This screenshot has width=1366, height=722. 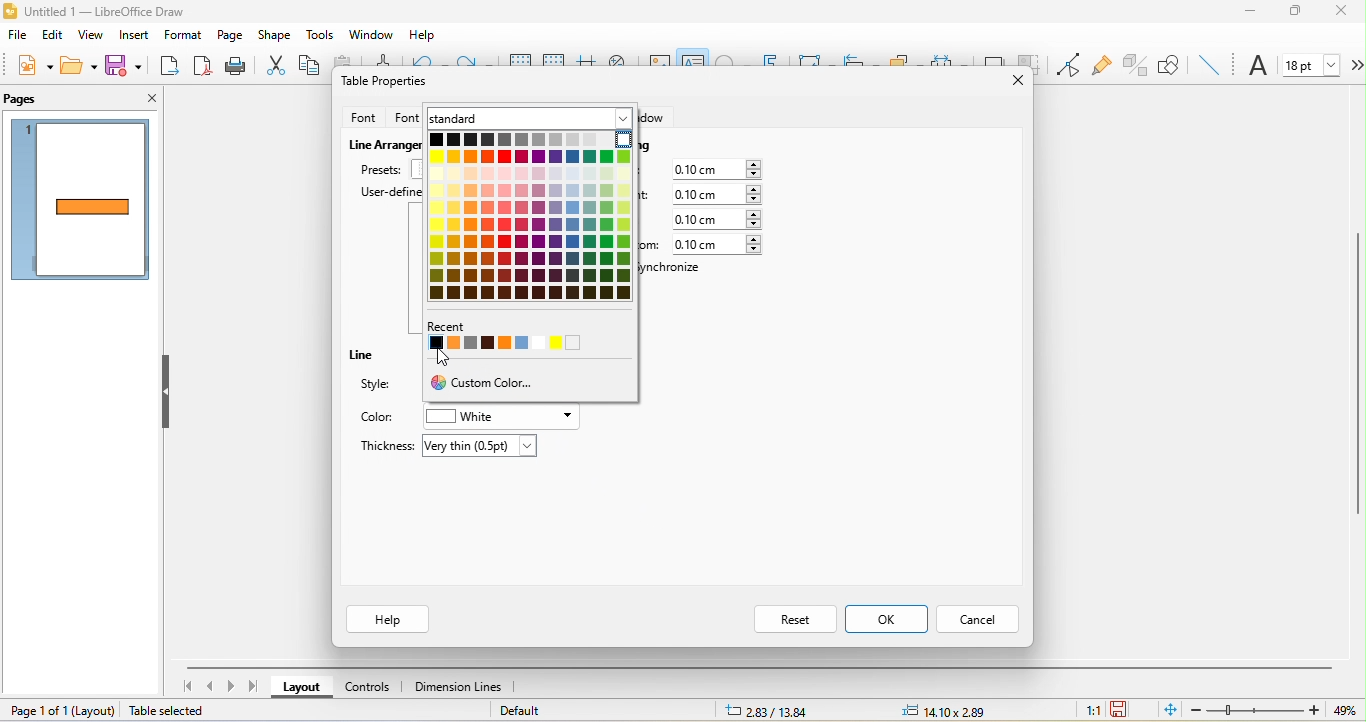 What do you see at coordinates (794, 621) in the screenshot?
I see `reset` at bounding box center [794, 621].